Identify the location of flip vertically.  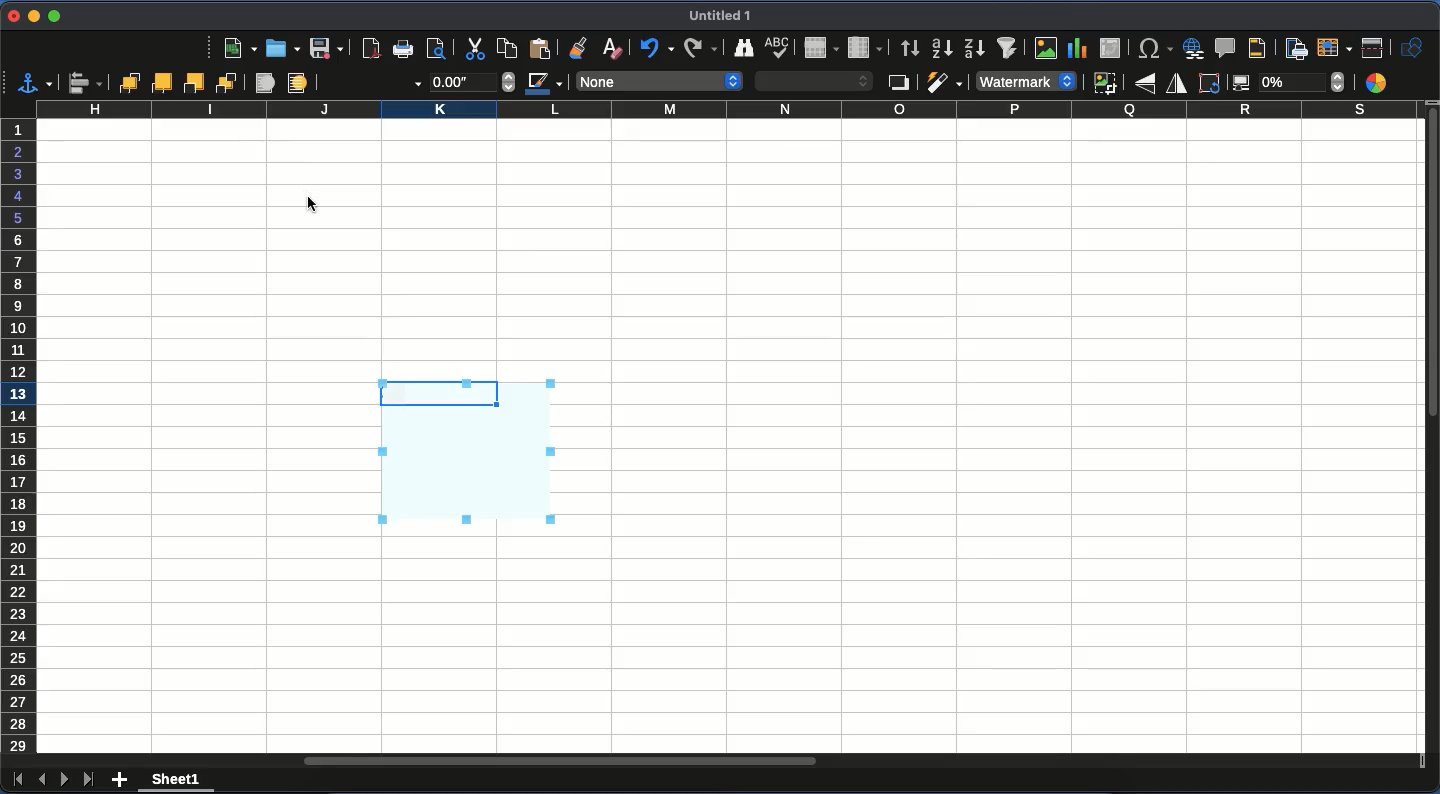
(1145, 85).